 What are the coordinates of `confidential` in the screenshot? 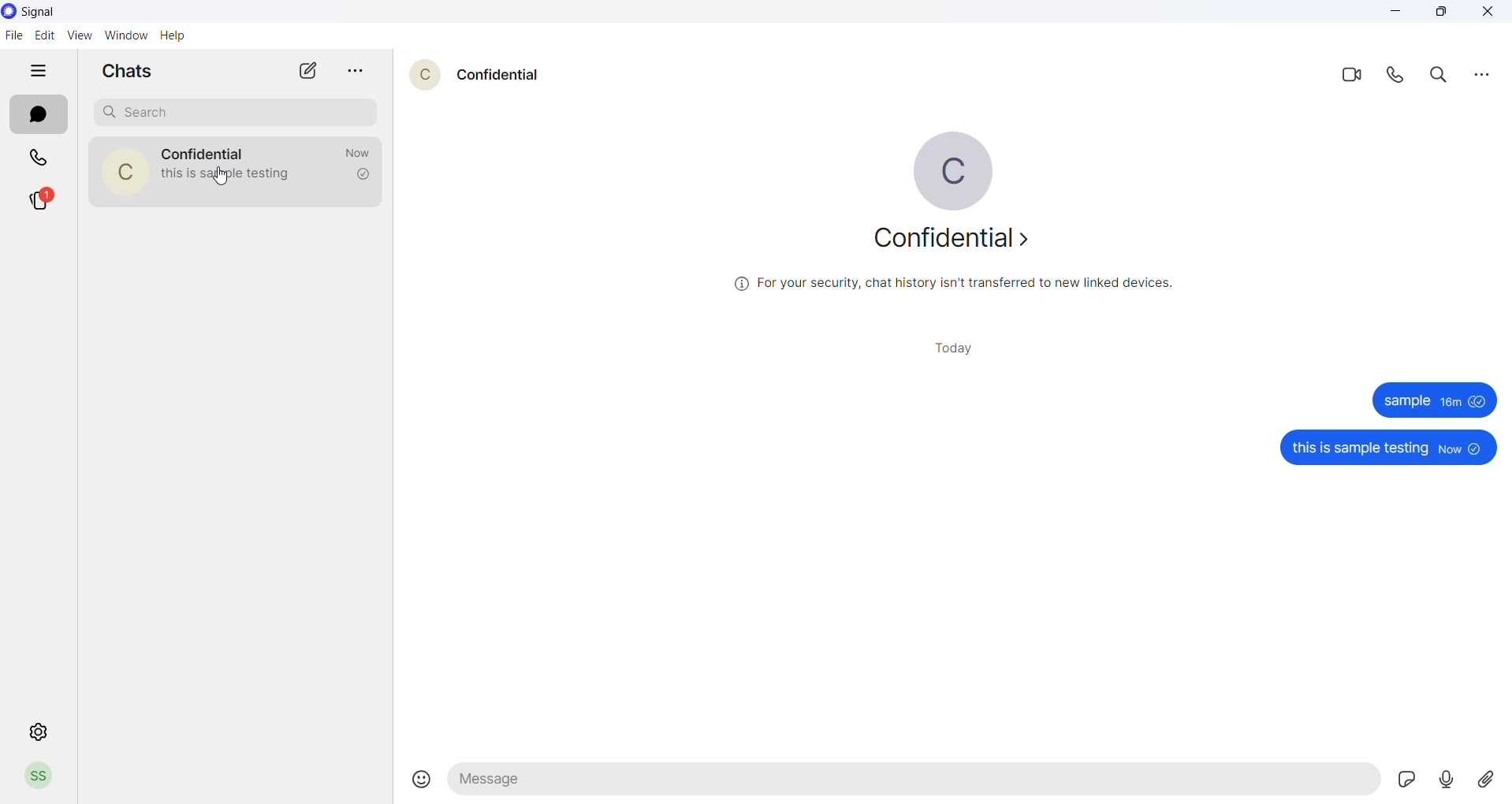 It's located at (954, 240).